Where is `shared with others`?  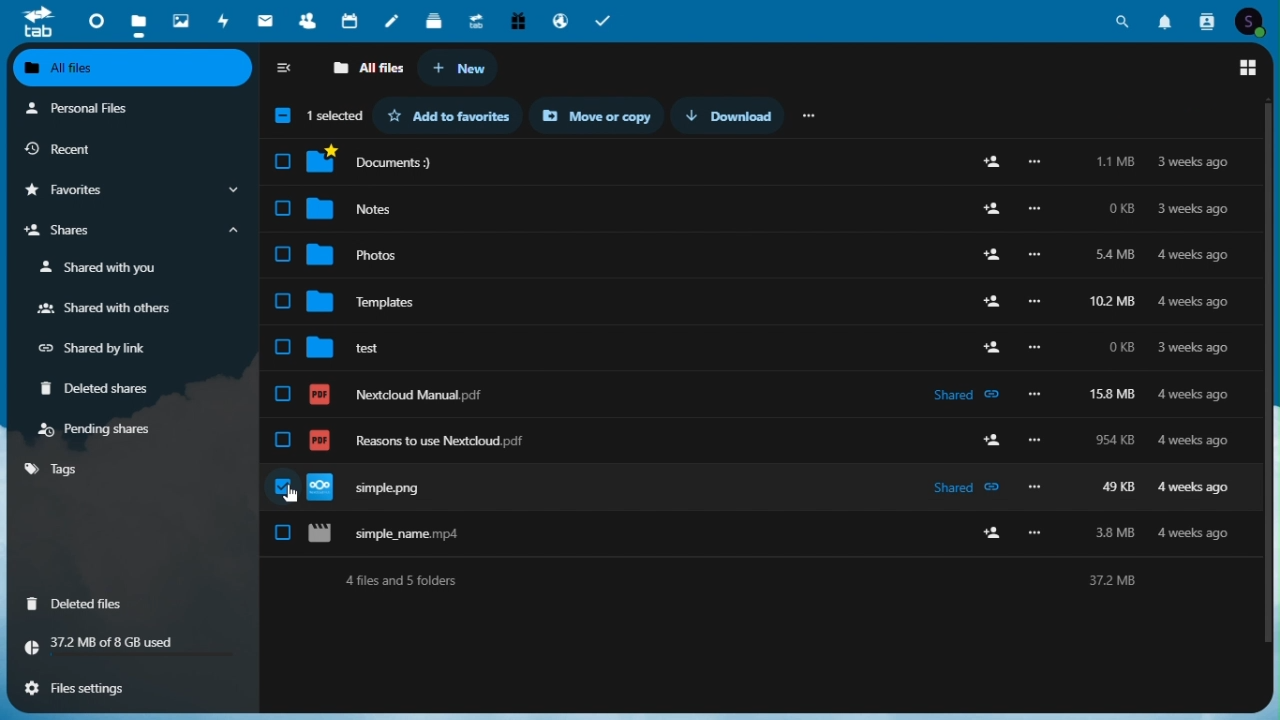
shared with others is located at coordinates (103, 310).